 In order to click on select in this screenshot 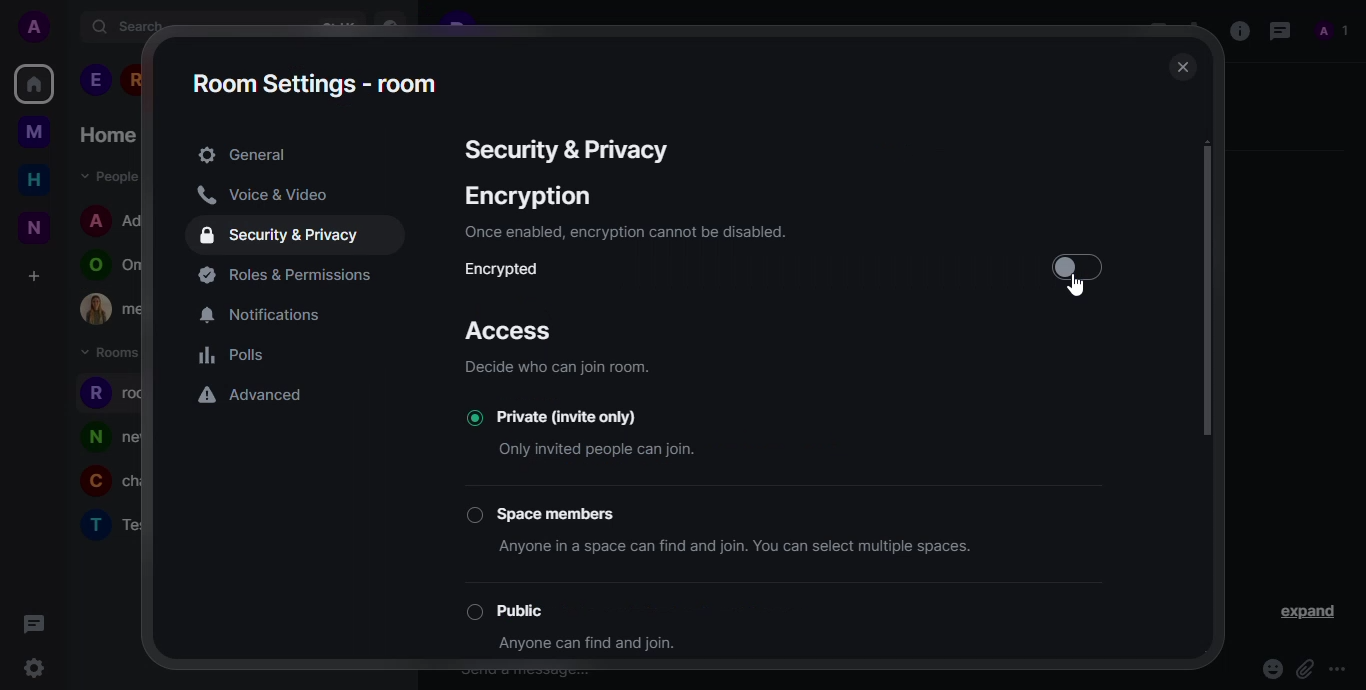, I will do `click(473, 515)`.